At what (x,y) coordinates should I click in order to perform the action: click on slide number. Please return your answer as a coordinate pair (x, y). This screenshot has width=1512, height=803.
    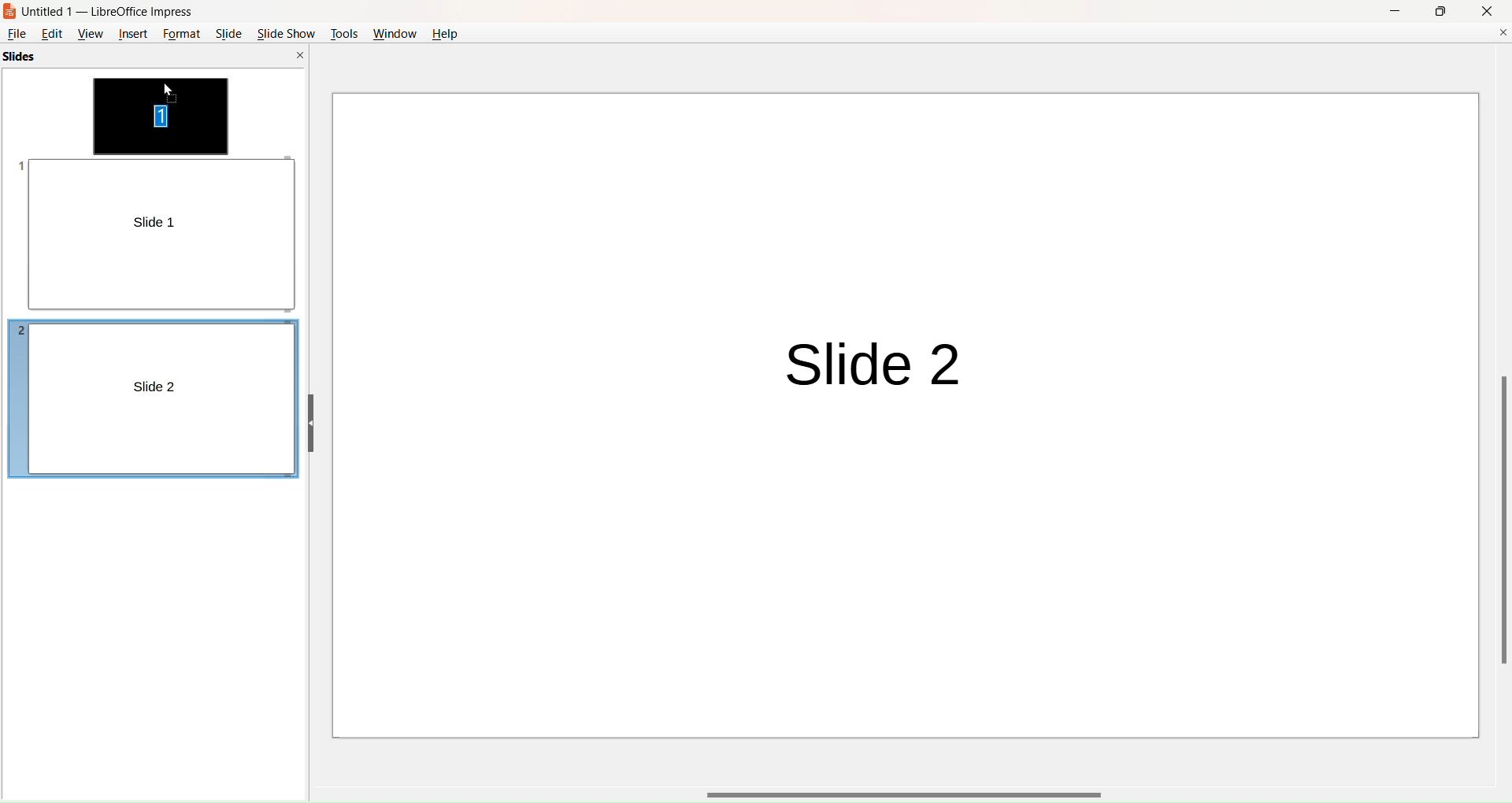
    Looking at the image, I should click on (20, 170).